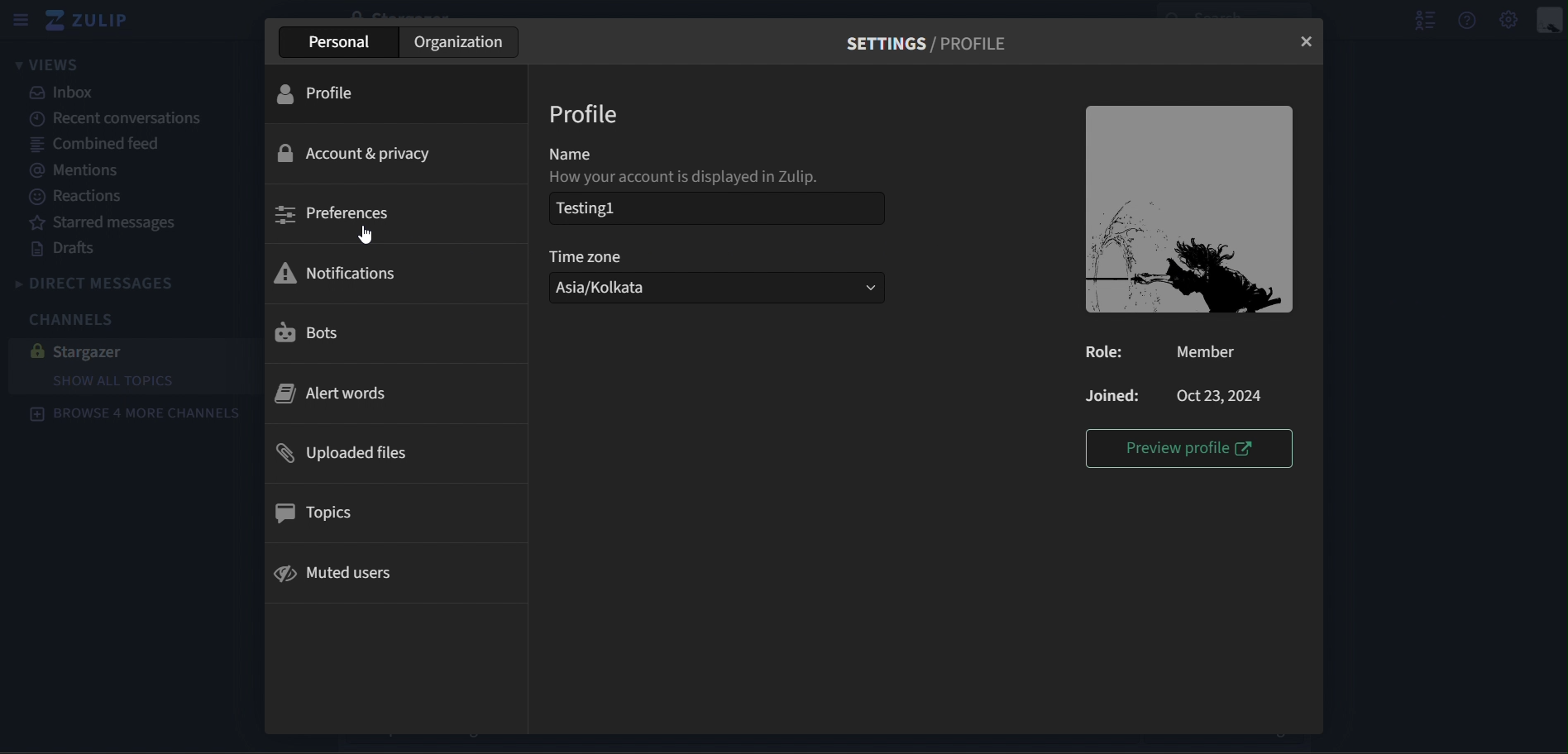 The image size is (1568, 754). I want to click on main menu, so click(1510, 20).